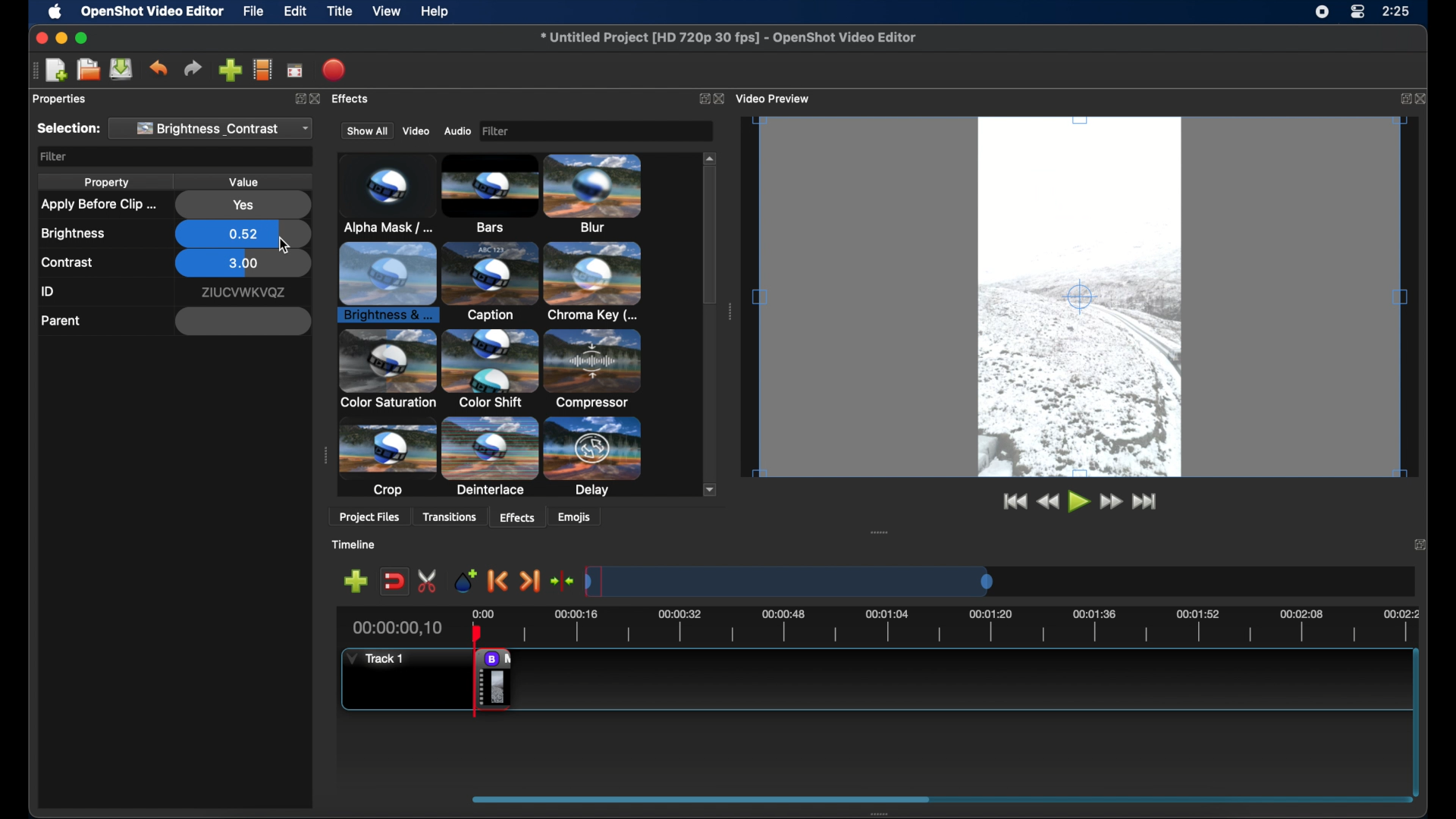  Describe the element at coordinates (243, 265) in the screenshot. I see `3.00` at that location.